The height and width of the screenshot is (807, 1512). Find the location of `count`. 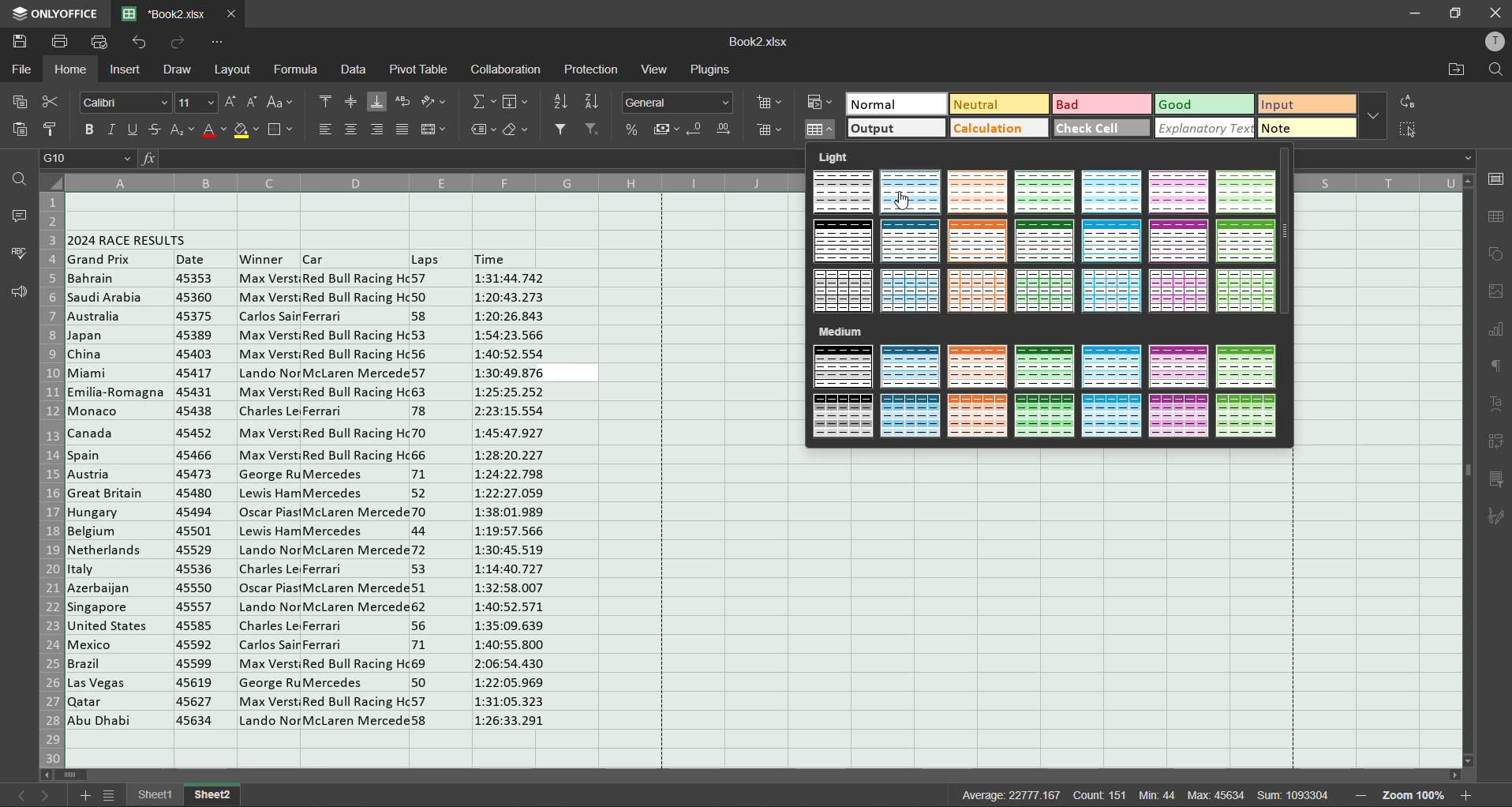

count is located at coordinates (1102, 794).